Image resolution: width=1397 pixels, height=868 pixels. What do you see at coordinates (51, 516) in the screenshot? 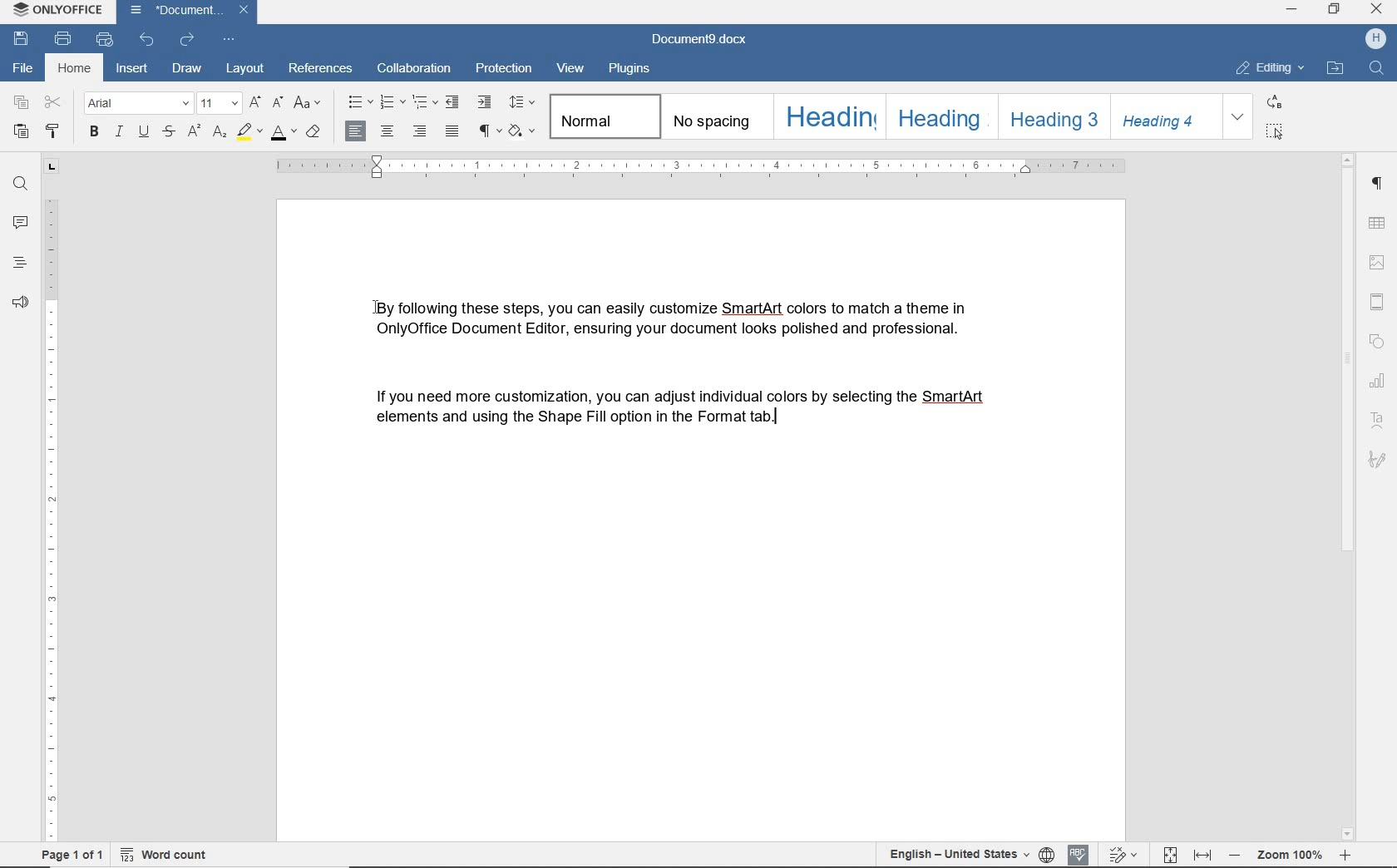
I see `ruler` at bounding box center [51, 516].